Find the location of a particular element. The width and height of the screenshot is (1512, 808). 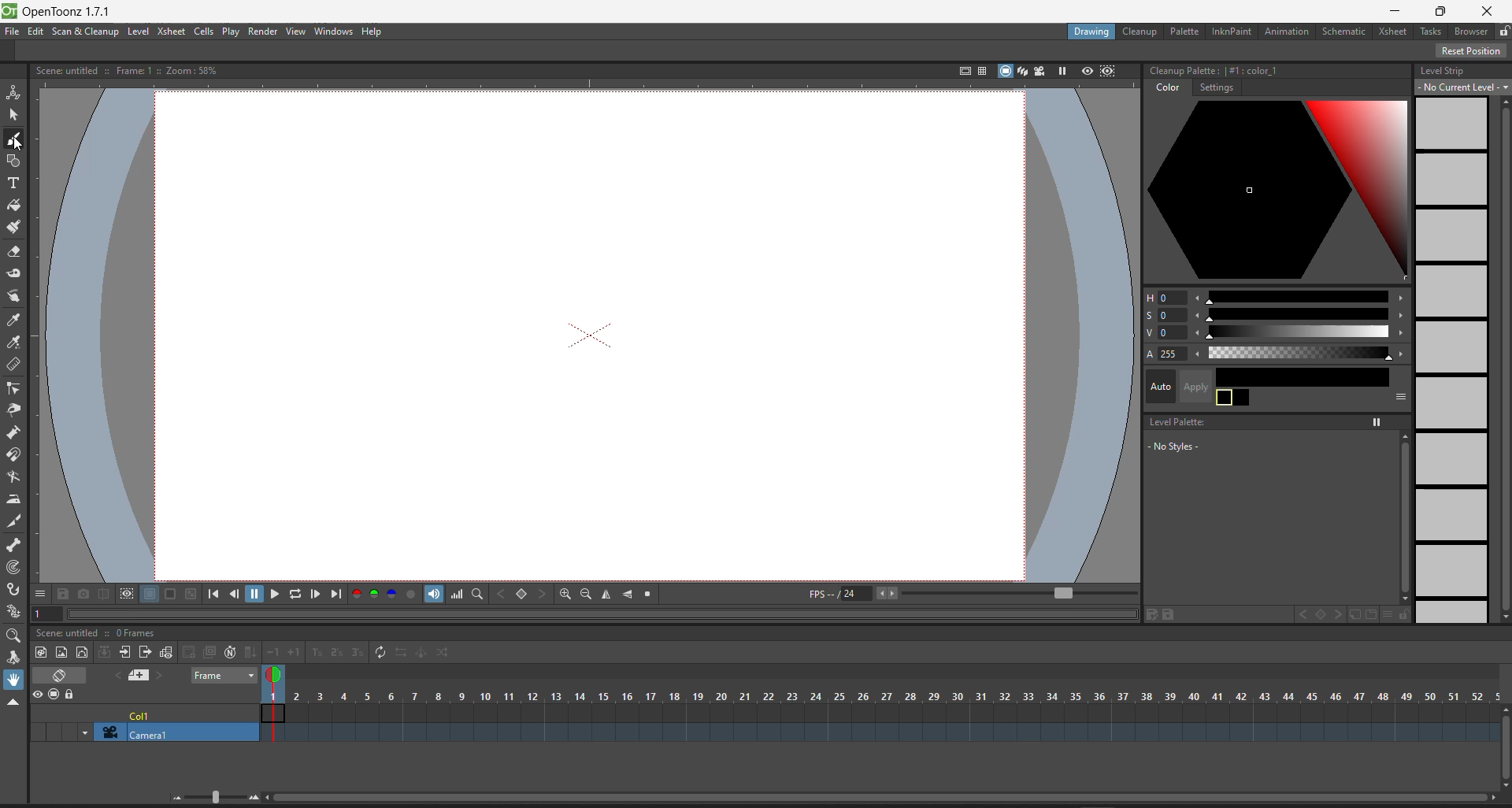

magnet tool is located at coordinates (17, 453).